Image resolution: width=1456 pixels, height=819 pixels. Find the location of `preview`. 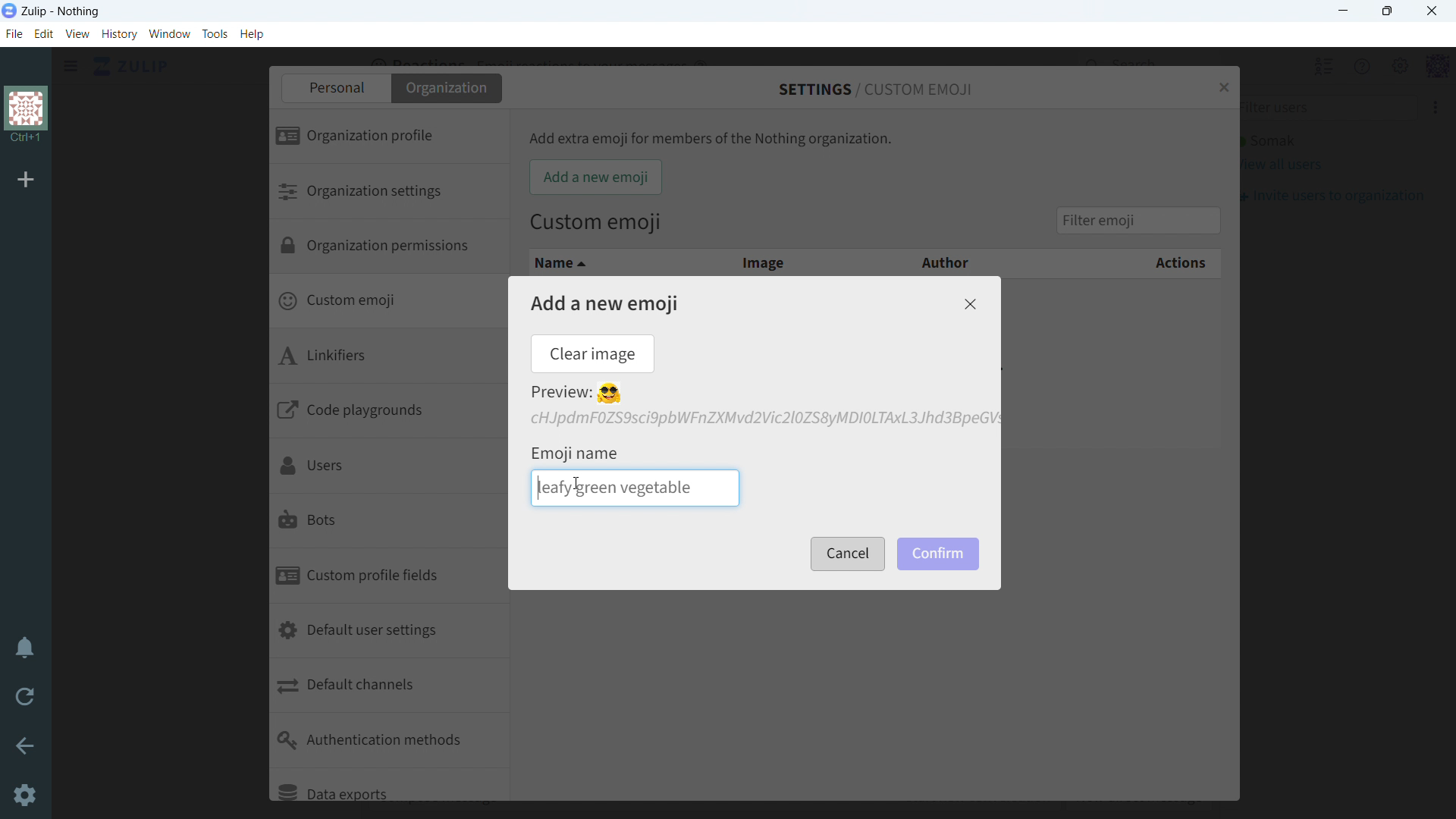

preview is located at coordinates (576, 394).